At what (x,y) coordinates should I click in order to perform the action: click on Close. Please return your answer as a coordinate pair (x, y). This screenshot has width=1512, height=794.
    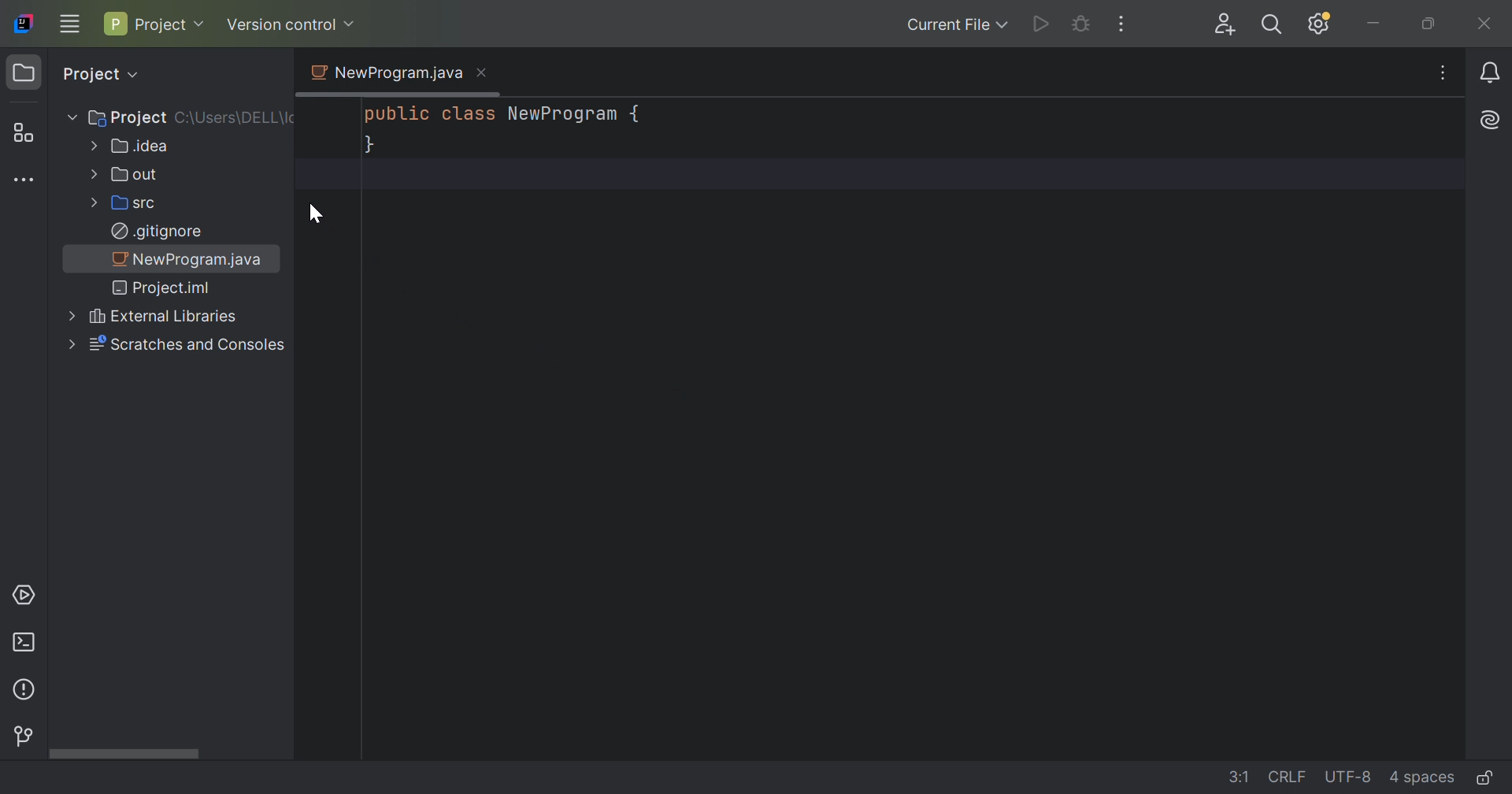
    Looking at the image, I should click on (1482, 29).